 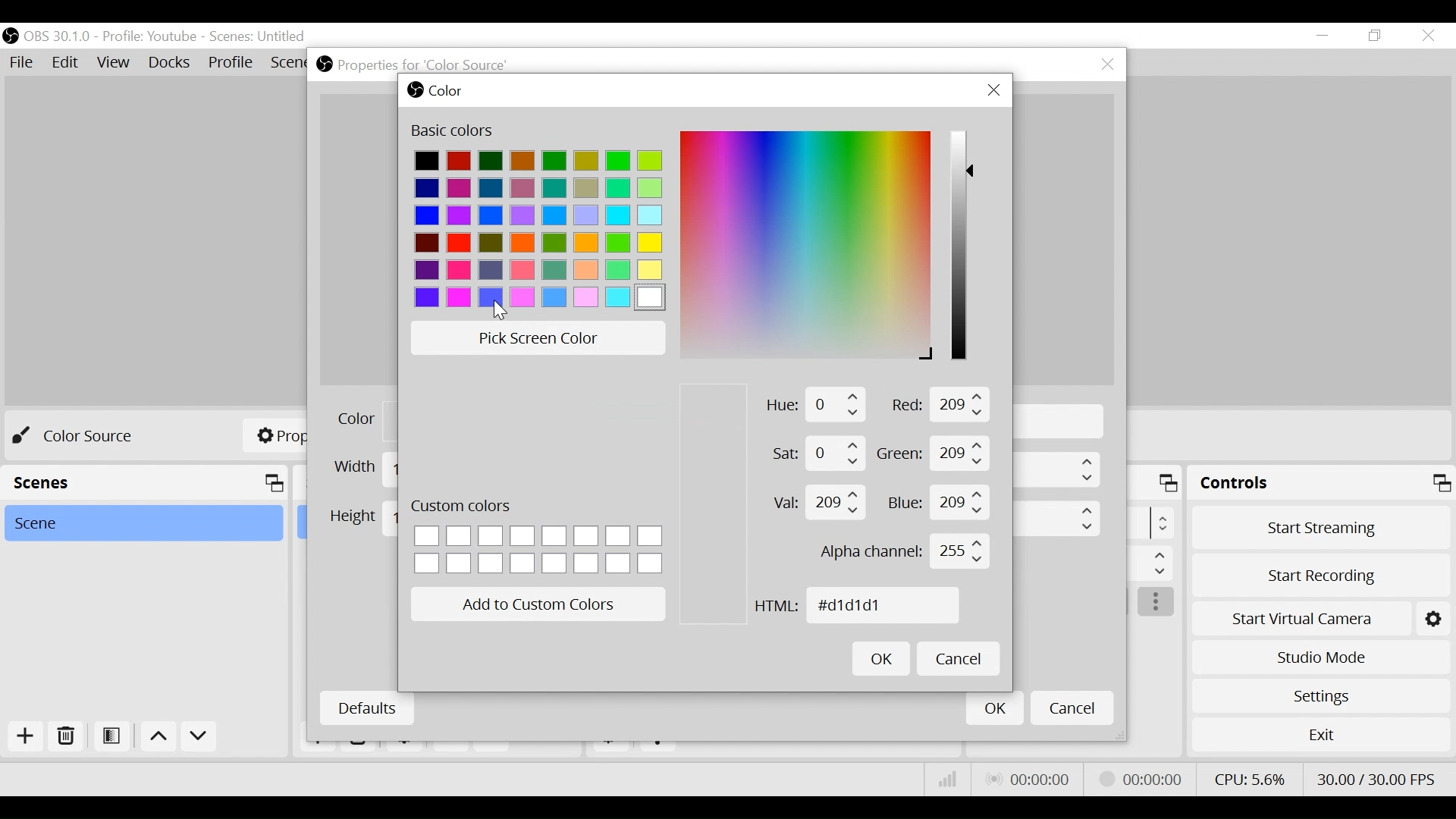 What do you see at coordinates (1323, 35) in the screenshot?
I see `minimize` at bounding box center [1323, 35].